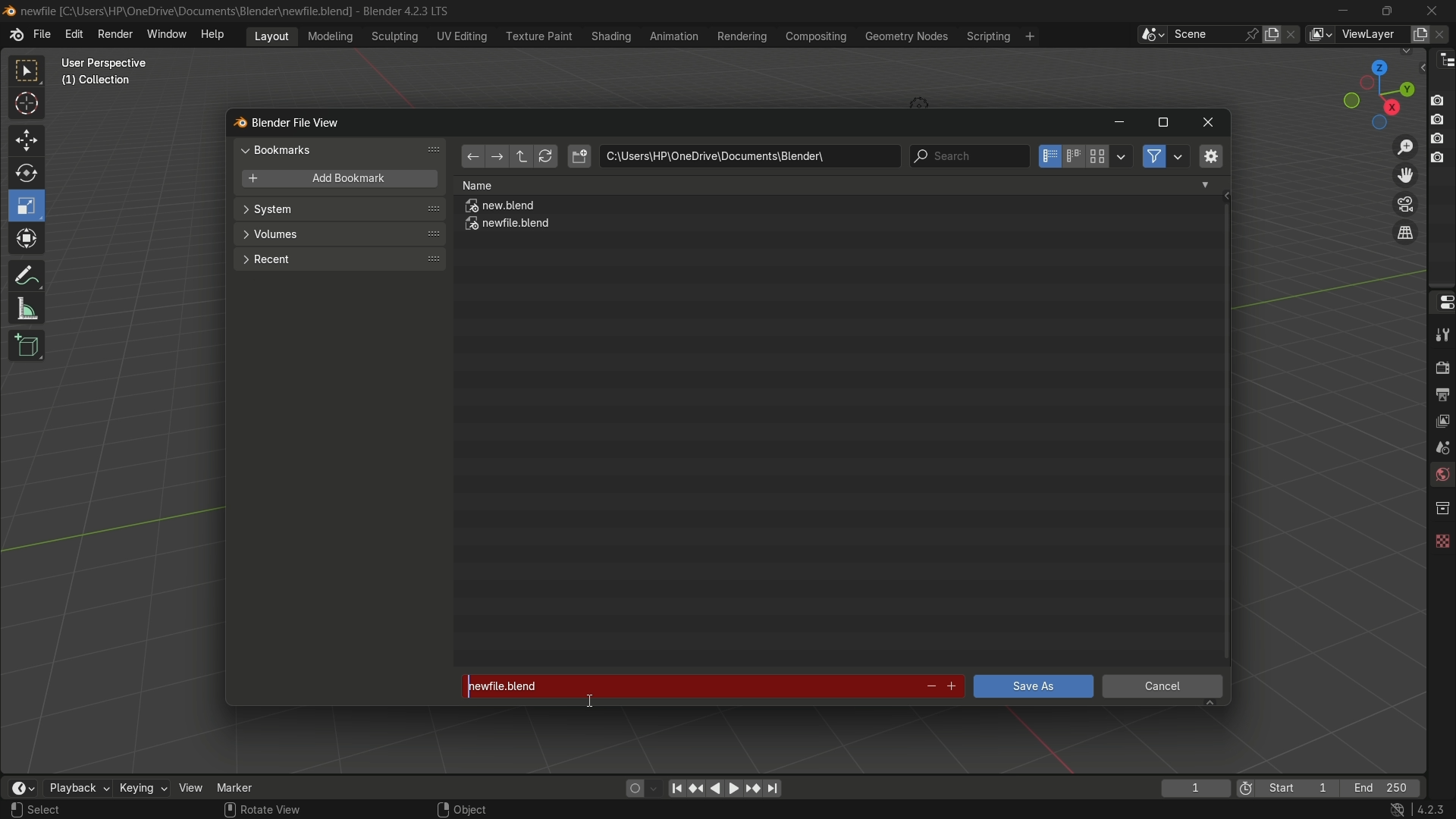 The height and width of the screenshot is (819, 1456). What do you see at coordinates (1439, 366) in the screenshot?
I see `render` at bounding box center [1439, 366].